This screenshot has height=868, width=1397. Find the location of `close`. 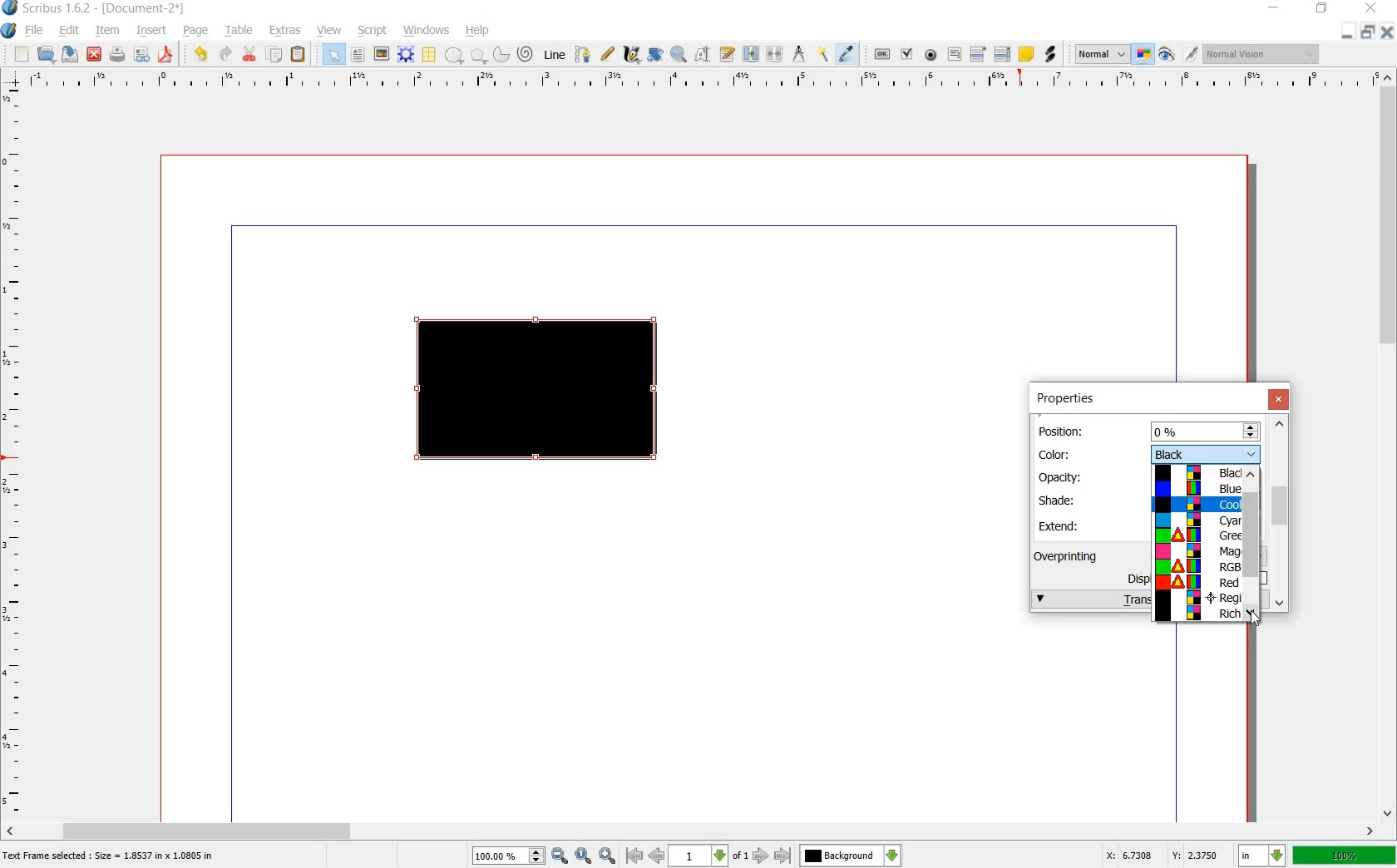

close is located at coordinates (1374, 7).